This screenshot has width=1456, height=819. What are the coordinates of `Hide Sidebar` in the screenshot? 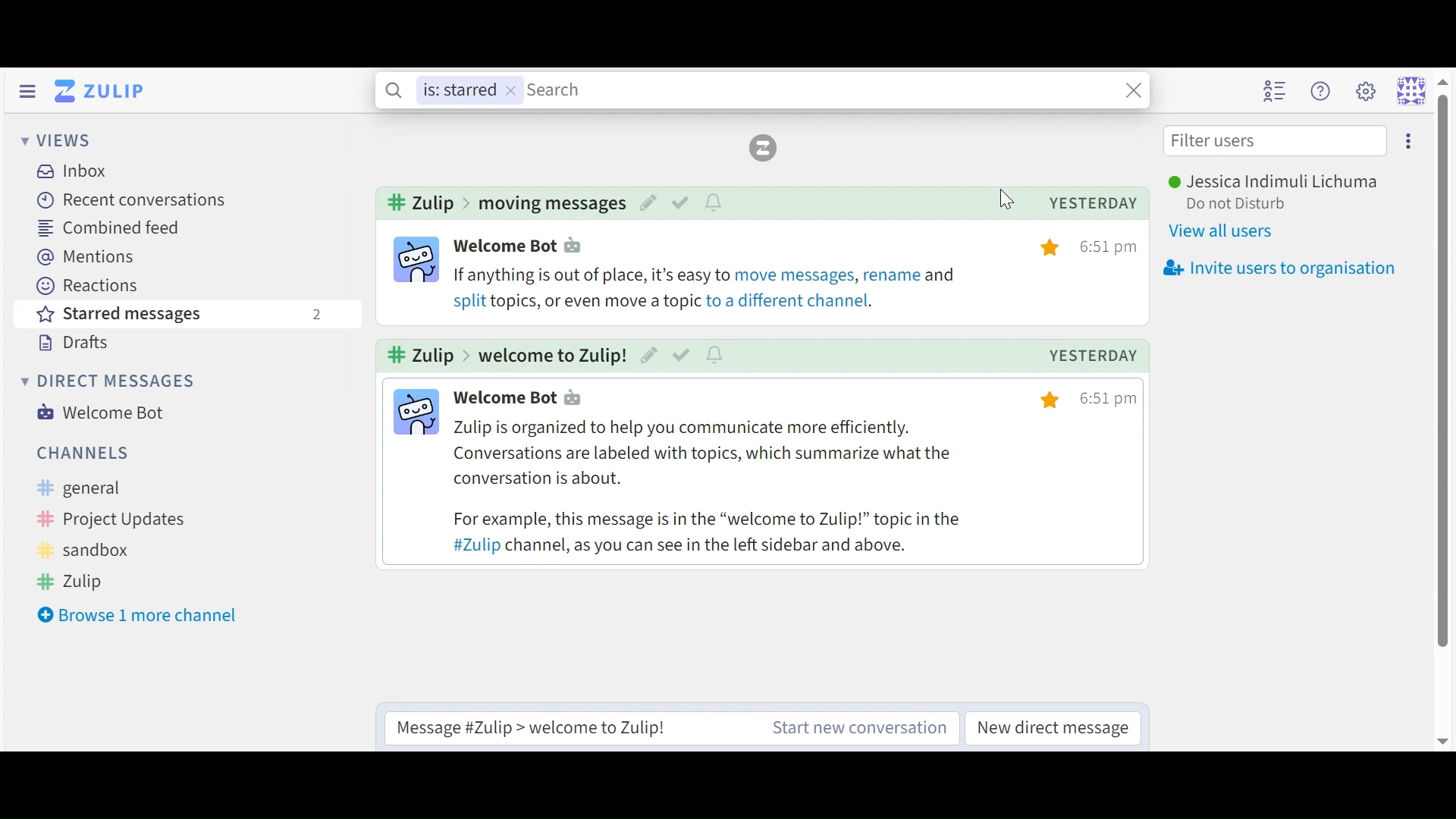 It's located at (26, 91).